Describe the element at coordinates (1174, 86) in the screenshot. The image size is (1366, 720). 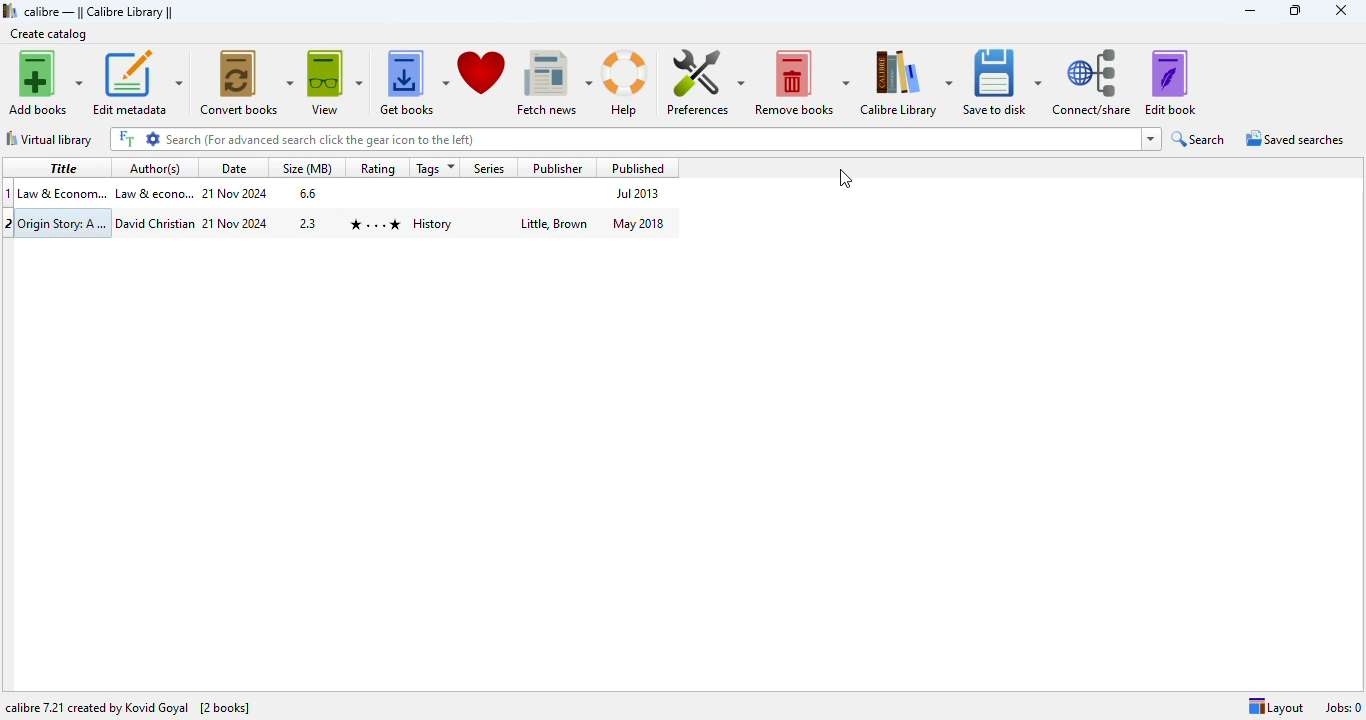
I see `edit book` at that location.